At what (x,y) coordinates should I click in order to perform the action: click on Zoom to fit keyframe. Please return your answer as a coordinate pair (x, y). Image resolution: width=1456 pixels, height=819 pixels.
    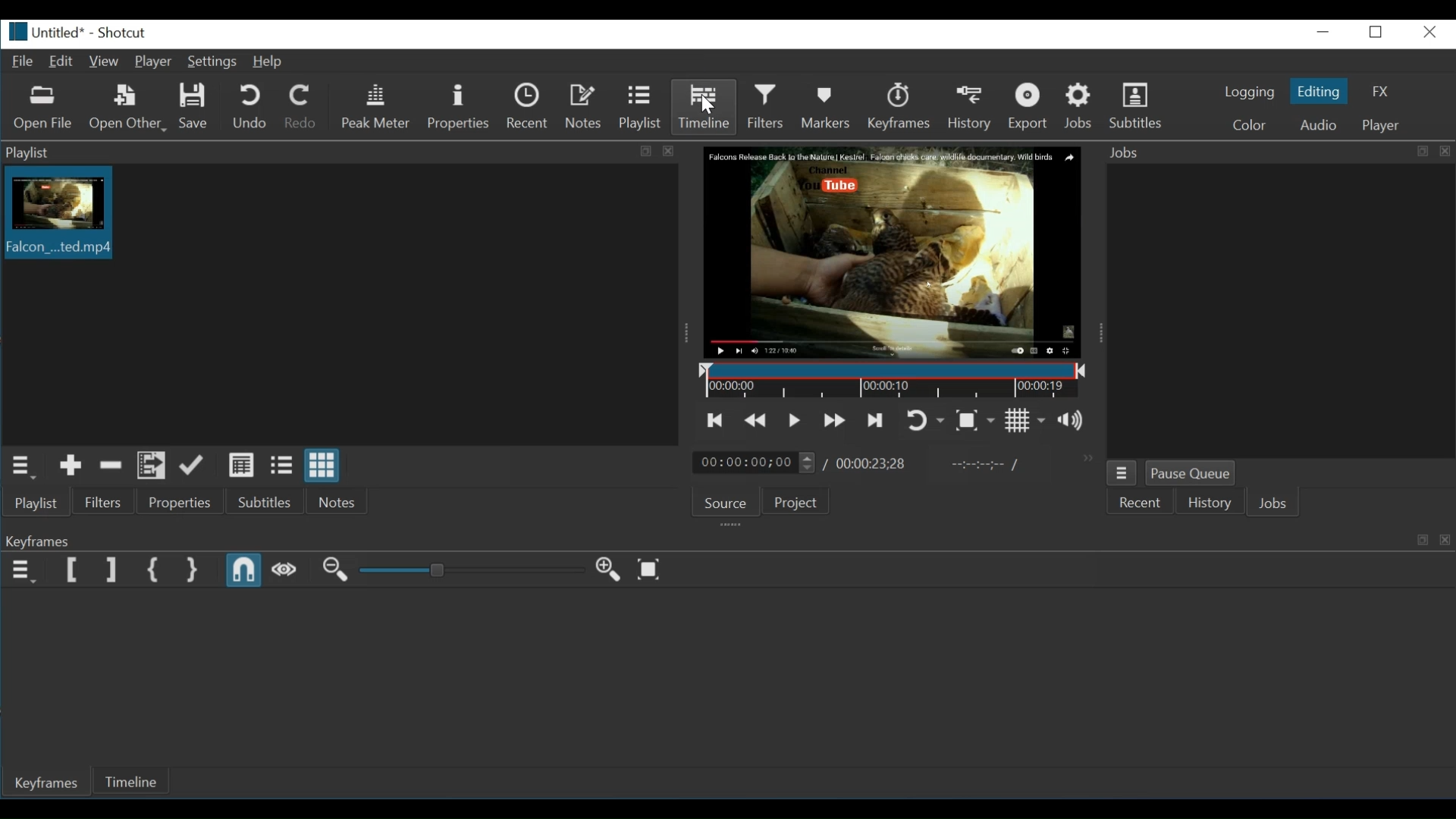
    Looking at the image, I should click on (648, 569).